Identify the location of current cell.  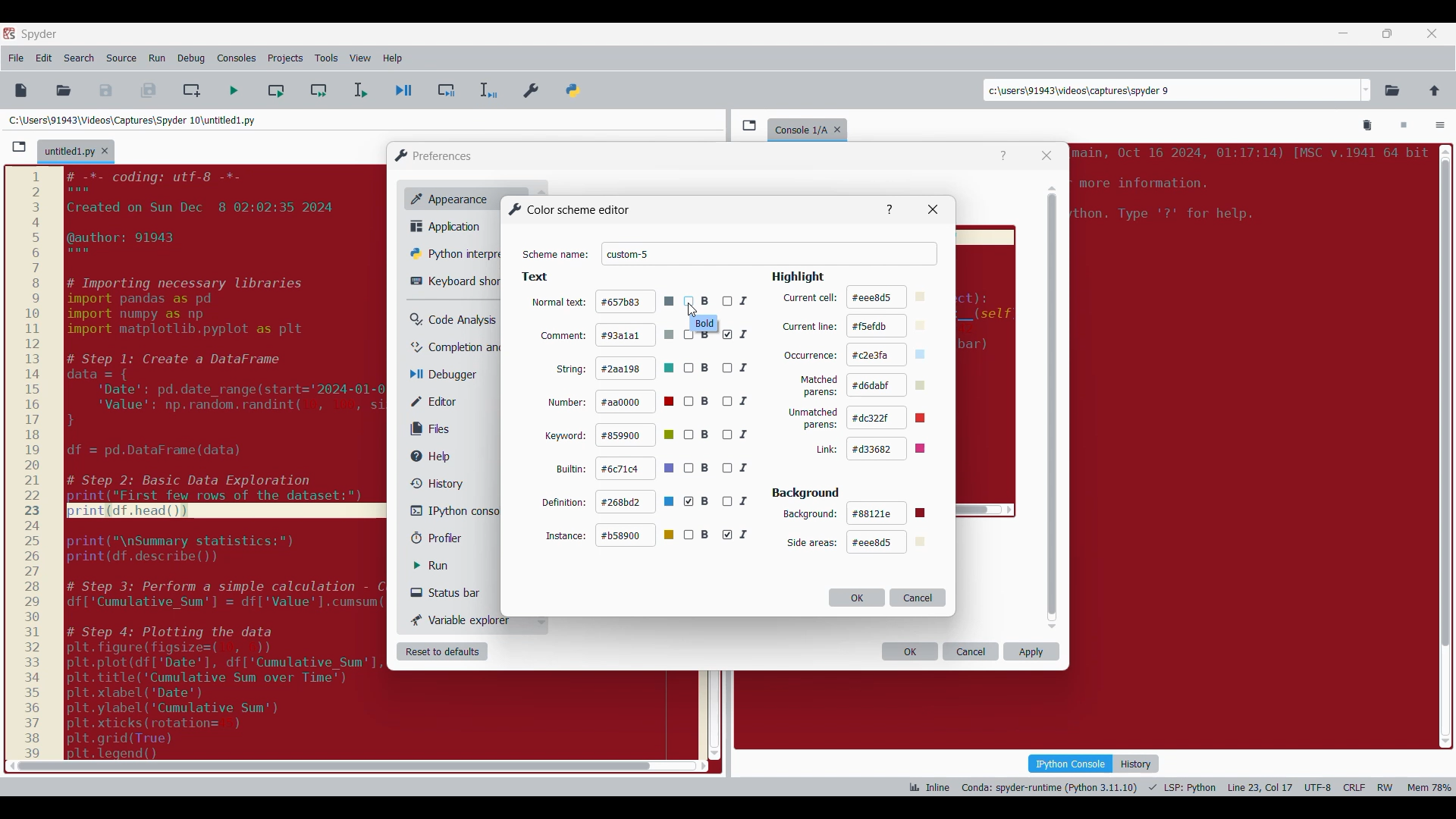
(809, 298).